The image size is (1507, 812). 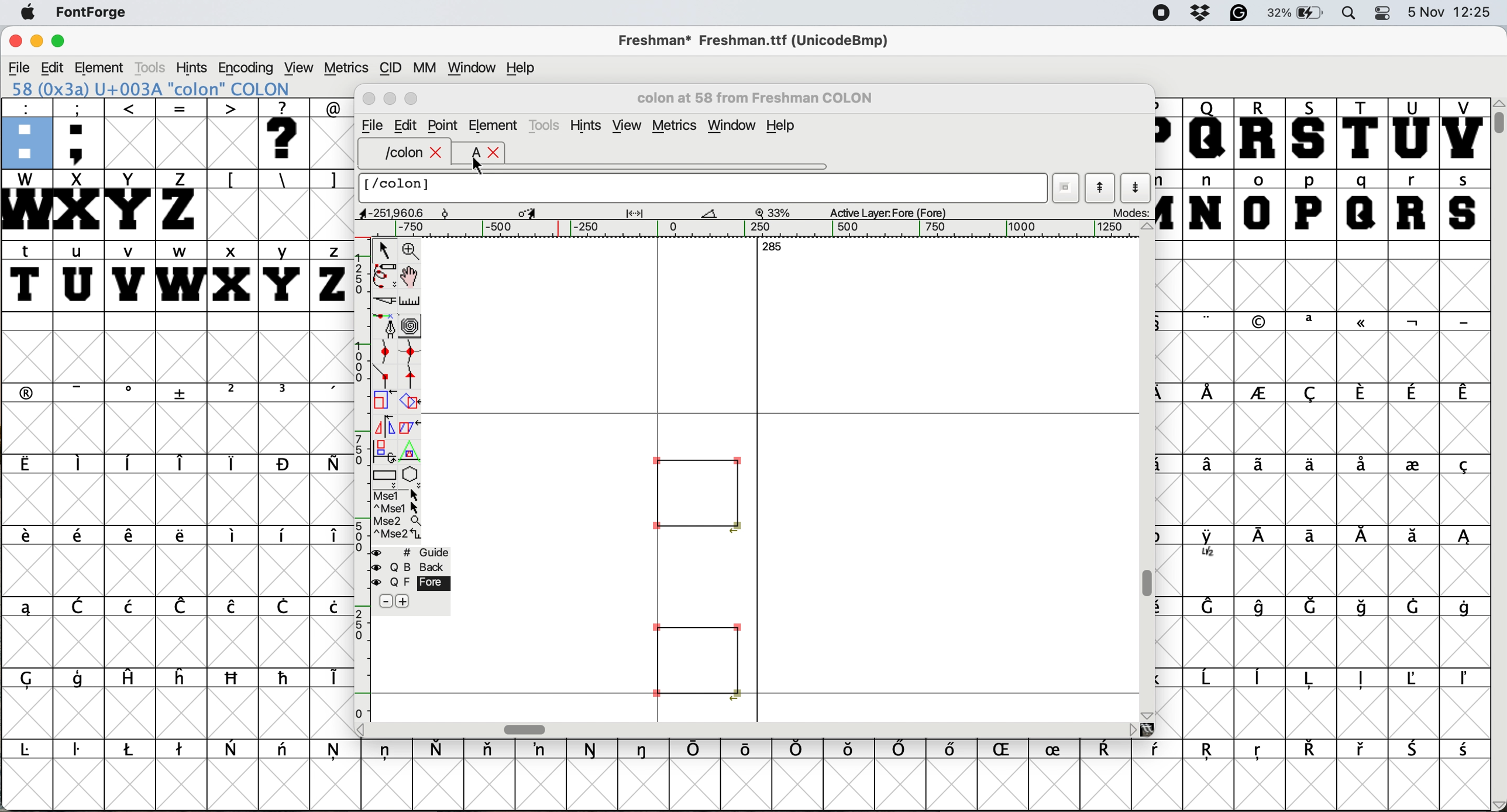 What do you see at coordinates (102, 67) in the screenshot?
I see `element` at bounding box center [102, 67].